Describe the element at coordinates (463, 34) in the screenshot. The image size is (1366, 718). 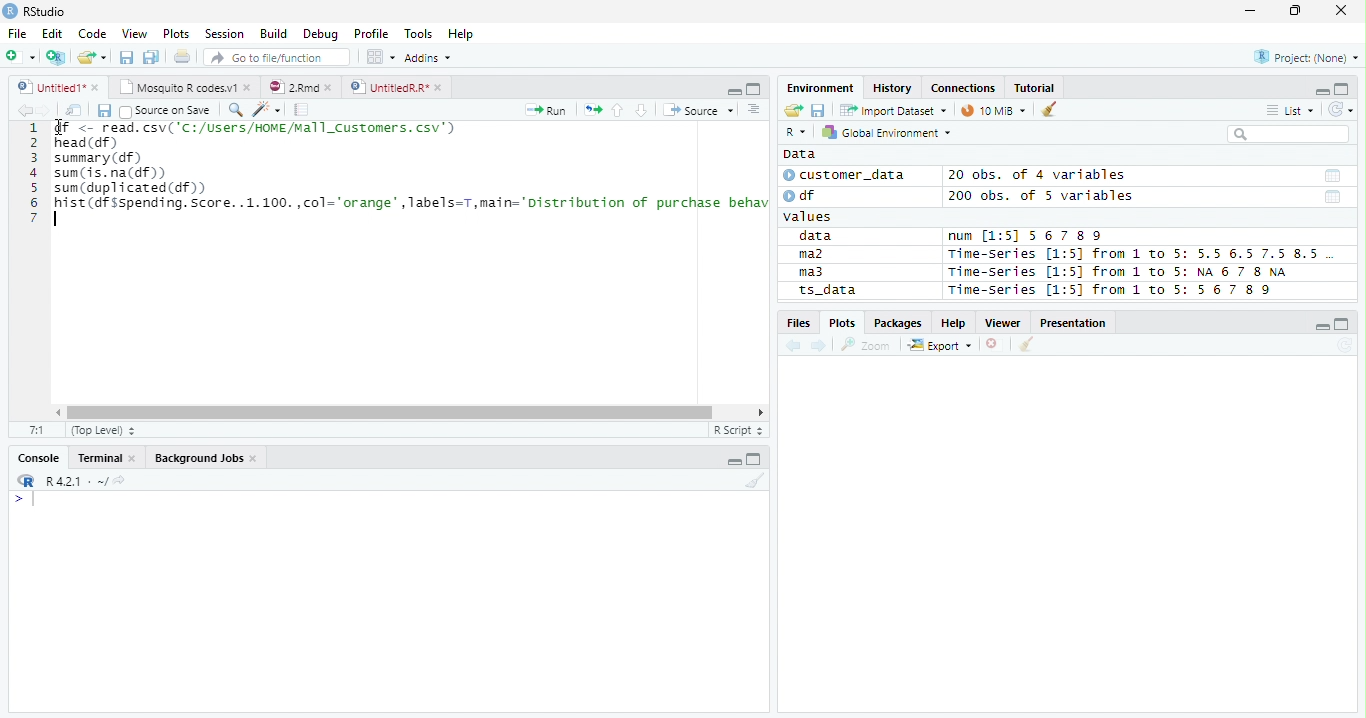
I see `Help` at that location.